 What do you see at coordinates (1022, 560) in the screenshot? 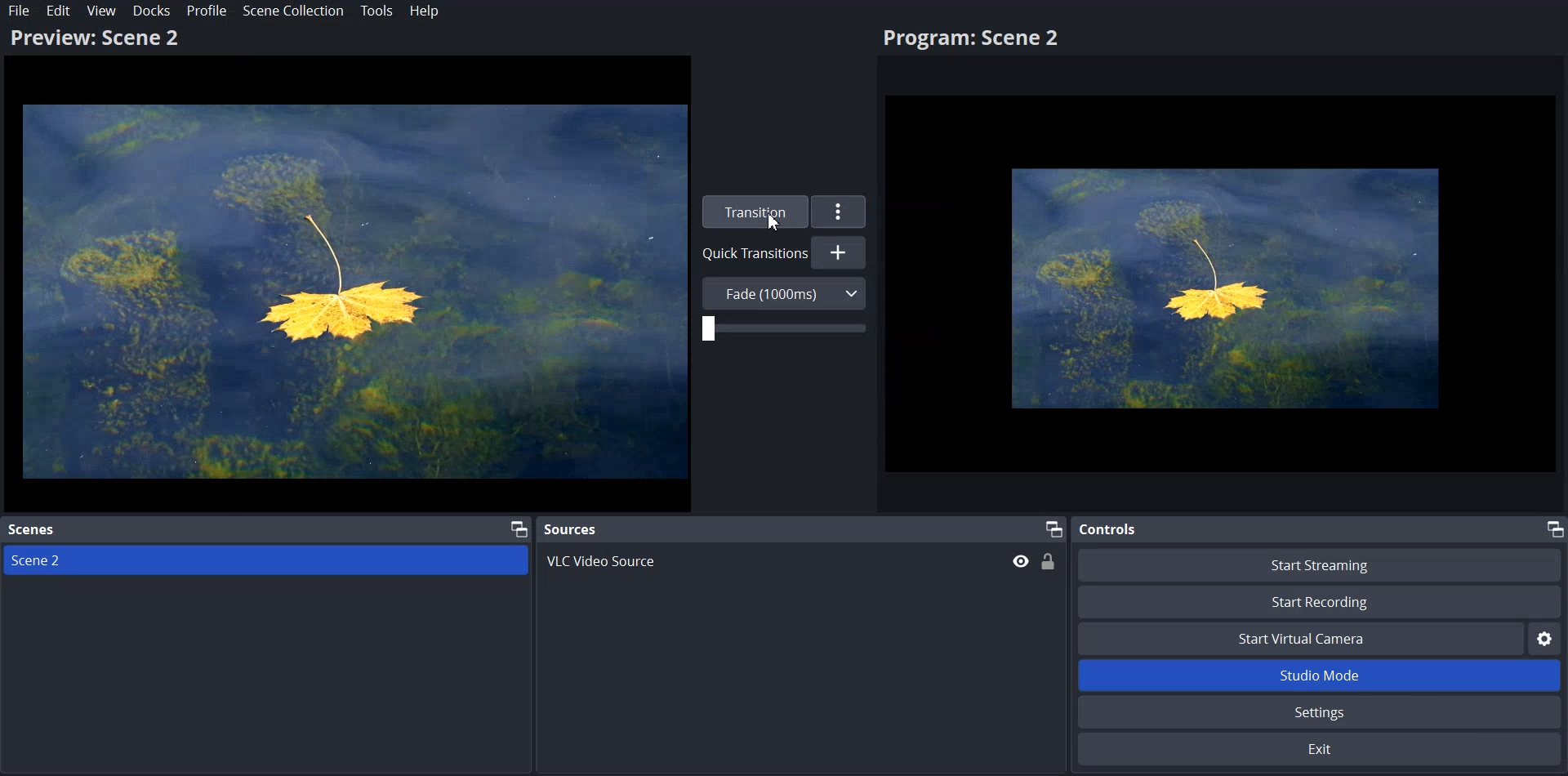
I see `Hide` at bounding box center [1022, 560].